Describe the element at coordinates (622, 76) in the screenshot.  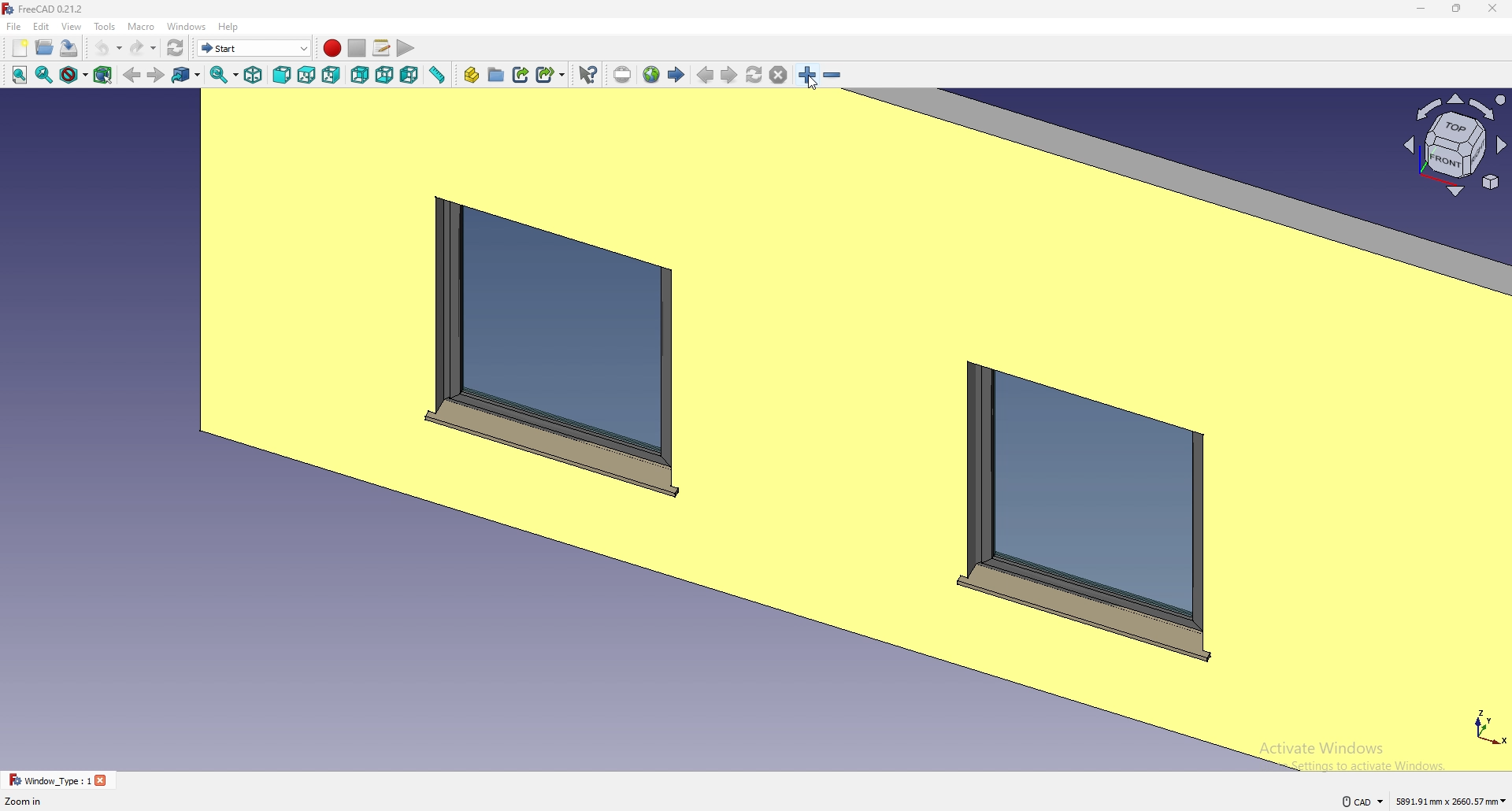
I see `set url` at that location.